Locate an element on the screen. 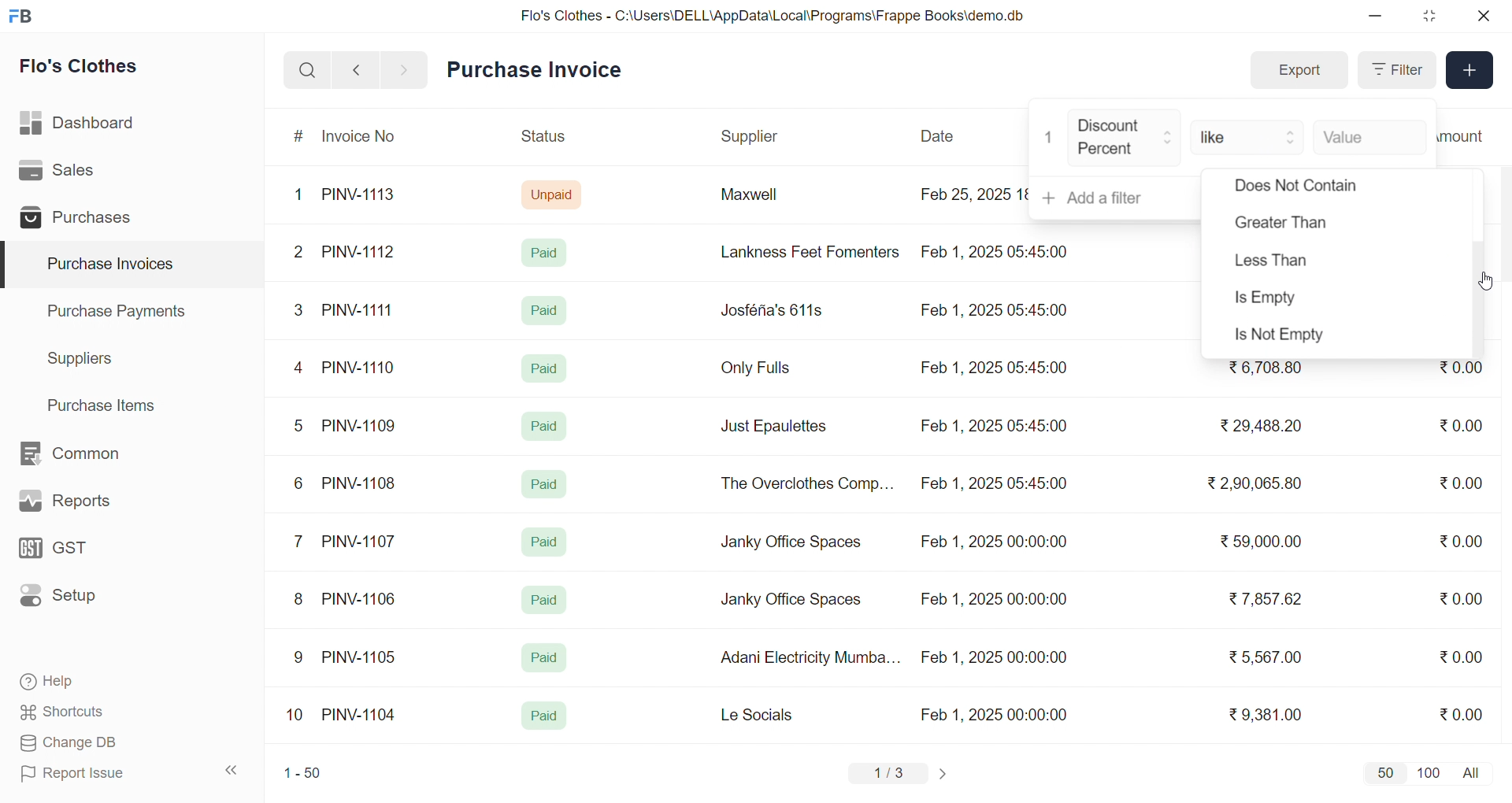 The height and width of the screenshot is (803, 1512). PINV-1108 is located at coordinates (360, 483).